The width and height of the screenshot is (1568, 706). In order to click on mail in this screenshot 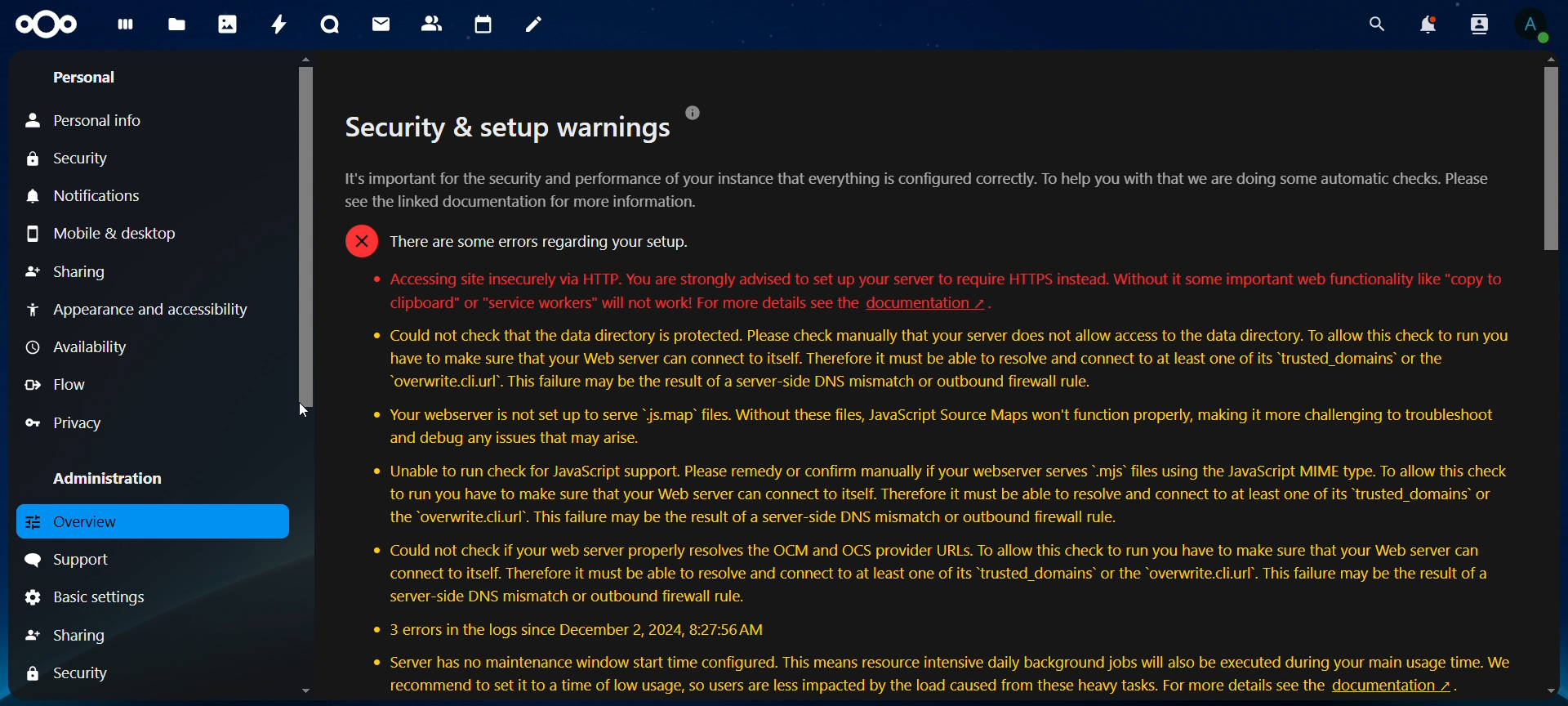, I will do `click(383, 24)`.